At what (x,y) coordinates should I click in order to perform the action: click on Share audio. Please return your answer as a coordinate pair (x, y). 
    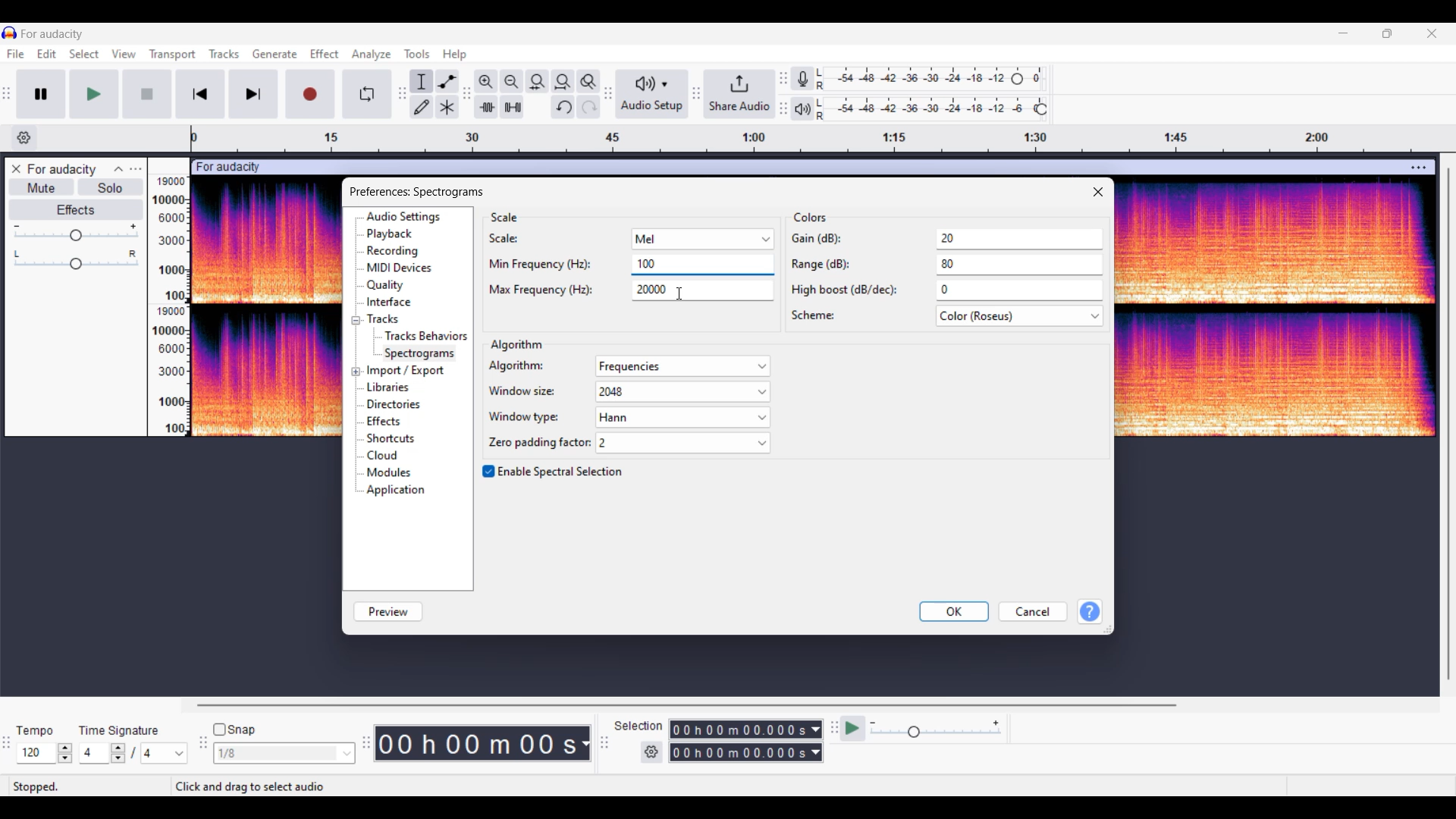
    Looking at the image, I should click on (739, 93).